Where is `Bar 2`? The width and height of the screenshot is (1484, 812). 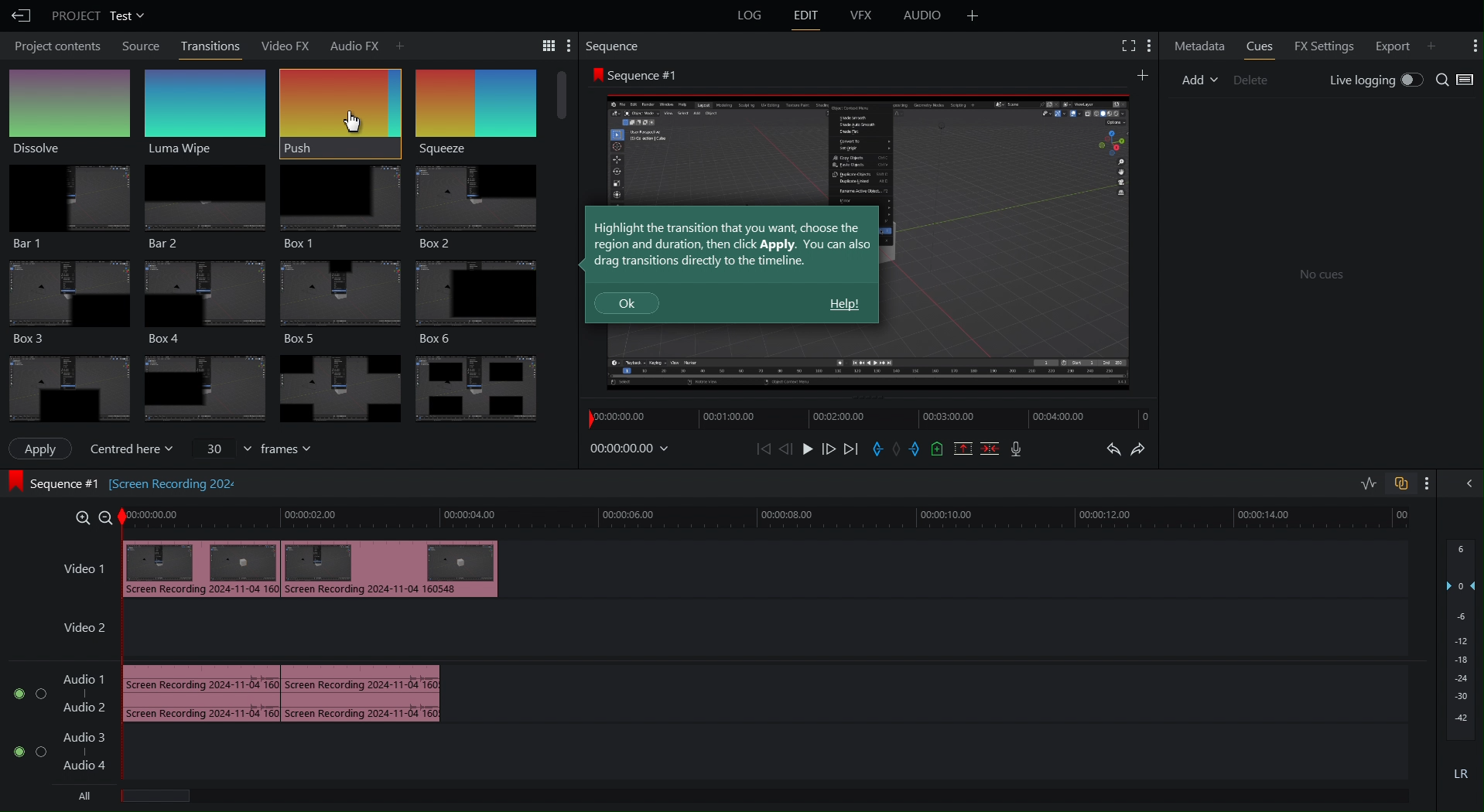 Bar 2 is located at coordinates (202, 209).